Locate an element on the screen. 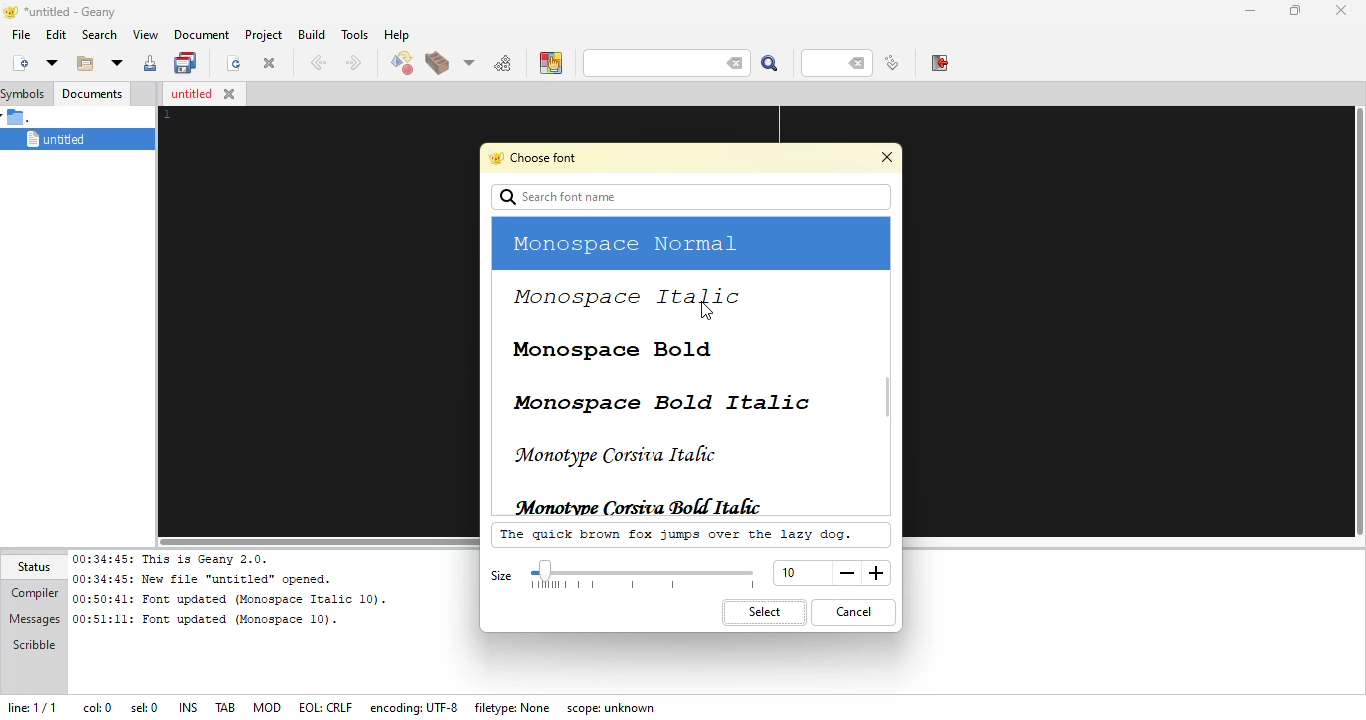 This screenshot has width=1366, height=720. search is located at coordinates (100, 34).